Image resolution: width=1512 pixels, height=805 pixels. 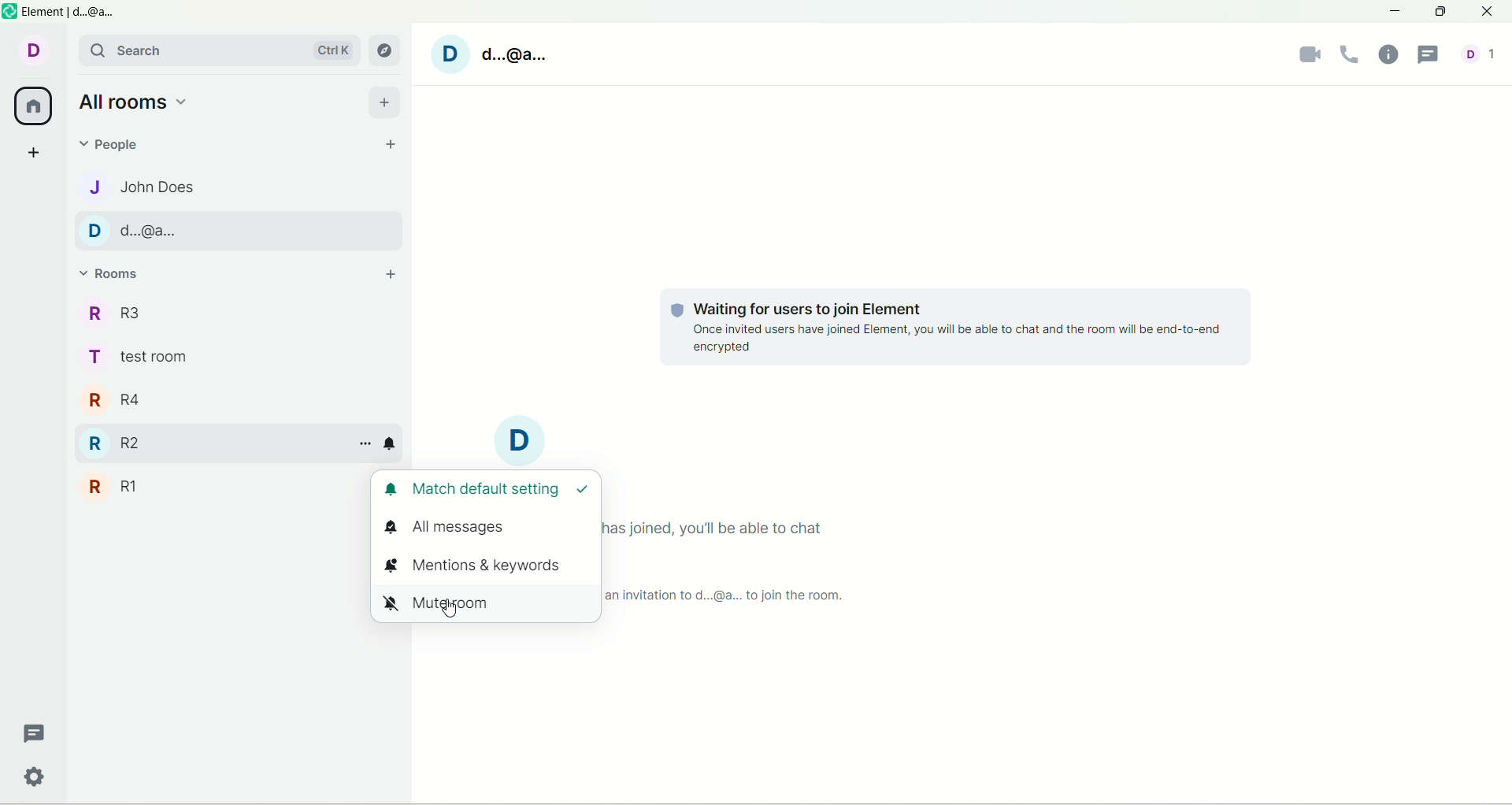 What do you see at coordinates (365, 444) in the screenshot?
I see `room options` at bounding box center [365, 444].